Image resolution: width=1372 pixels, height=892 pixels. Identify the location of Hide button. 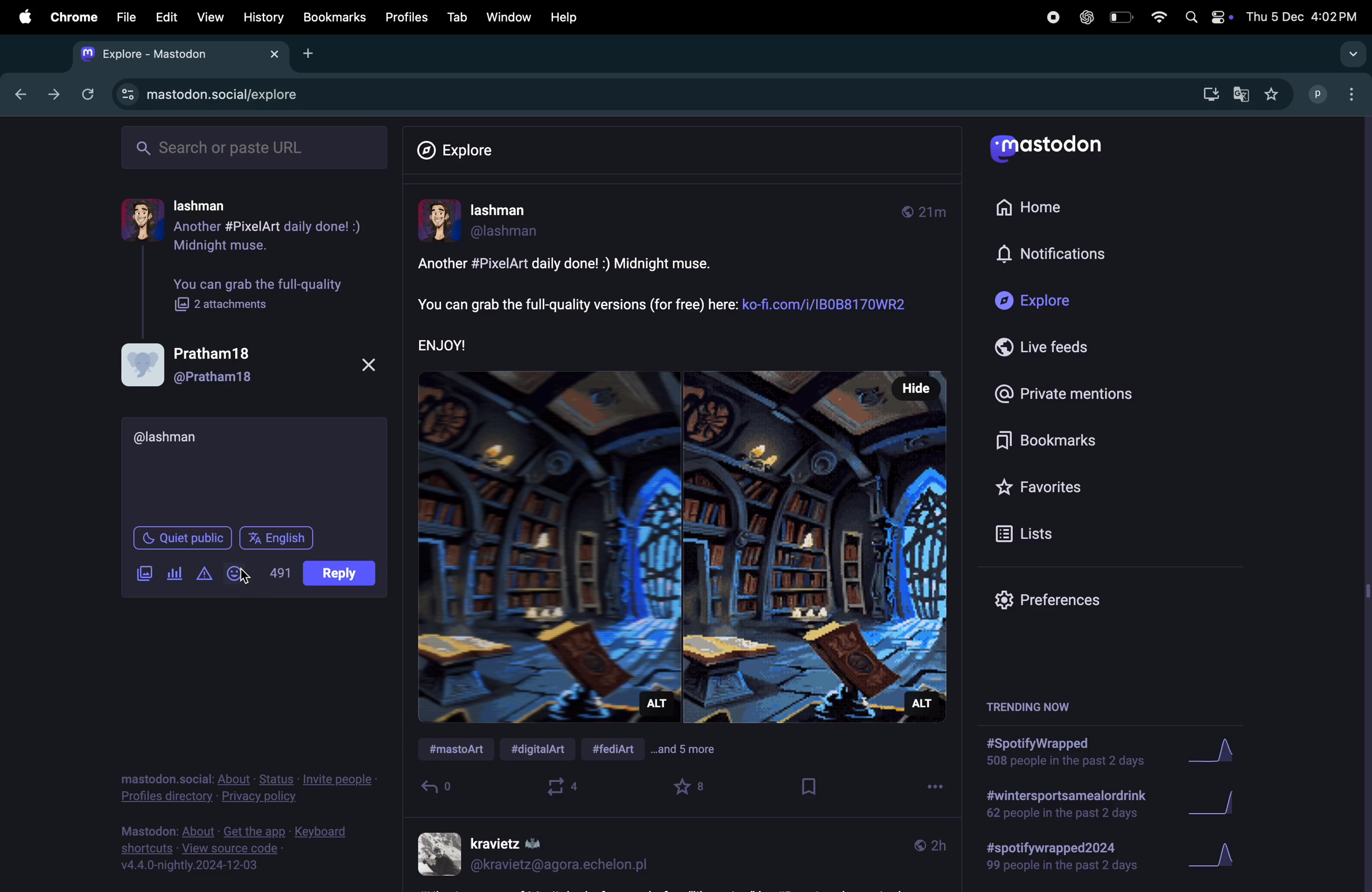
(912, 388).